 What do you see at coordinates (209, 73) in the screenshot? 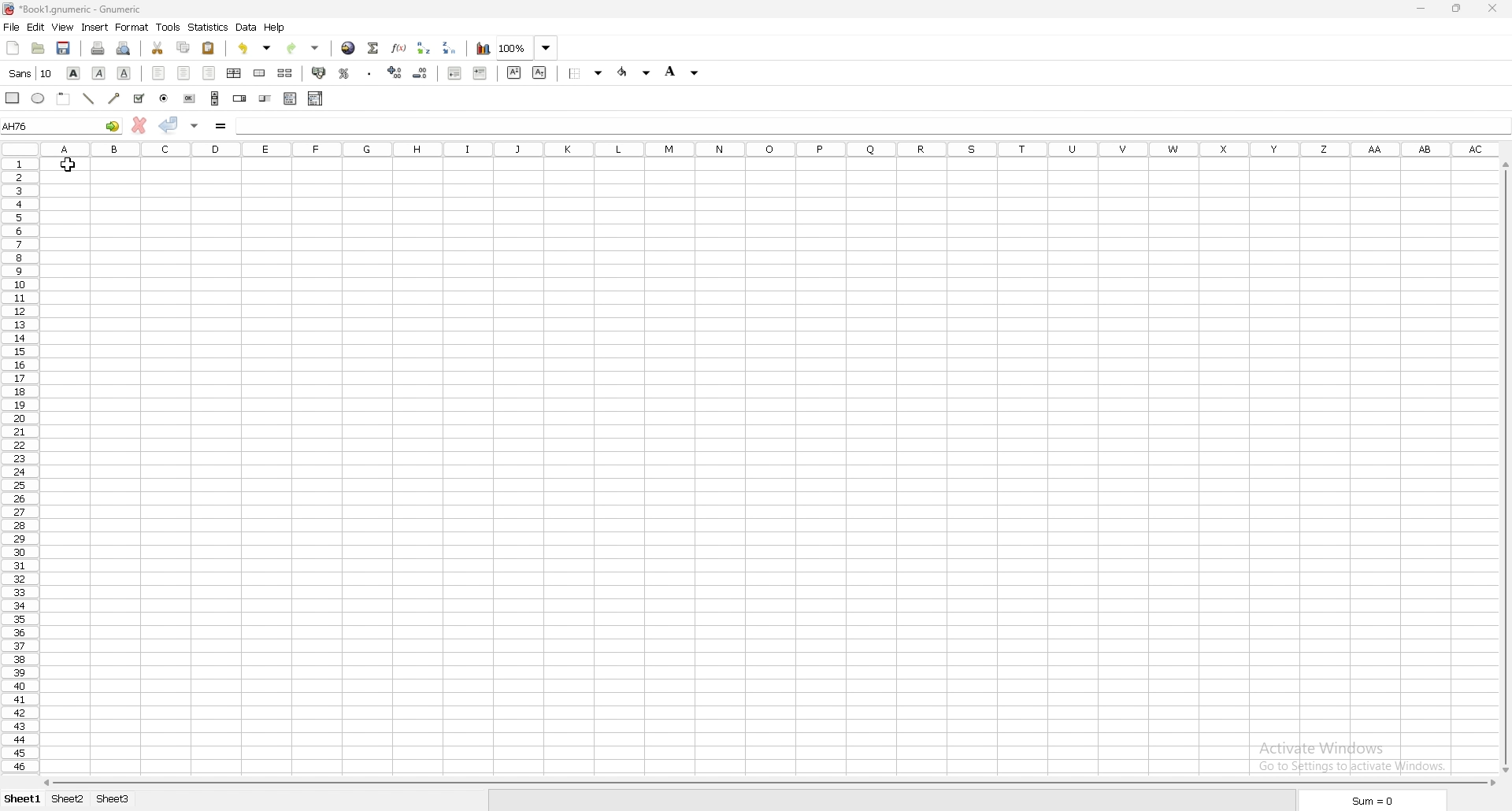
I see `align right` at bounding box center [209, 73].